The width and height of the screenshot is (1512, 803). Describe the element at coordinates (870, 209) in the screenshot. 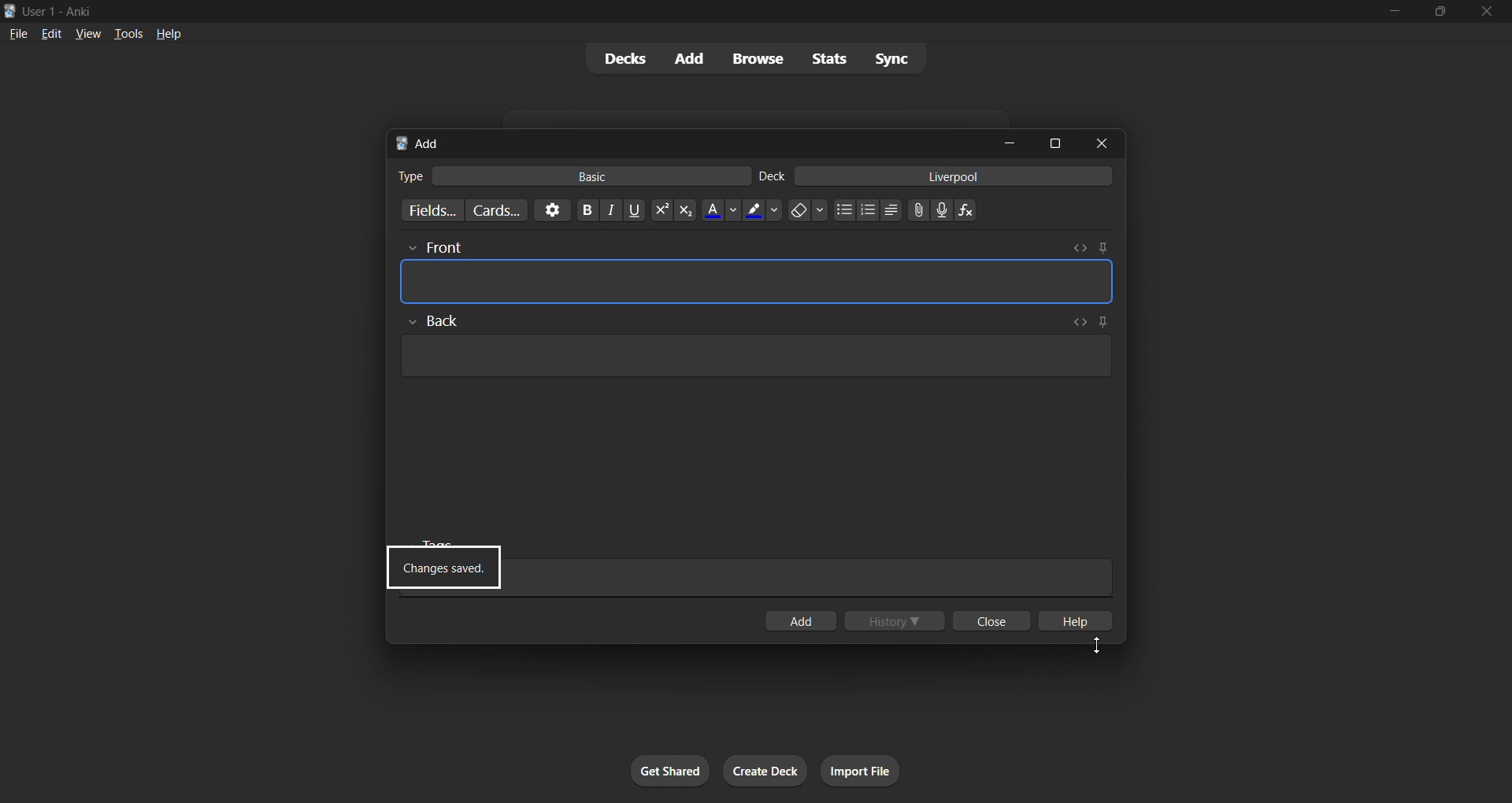

I see `bered points` at that location.